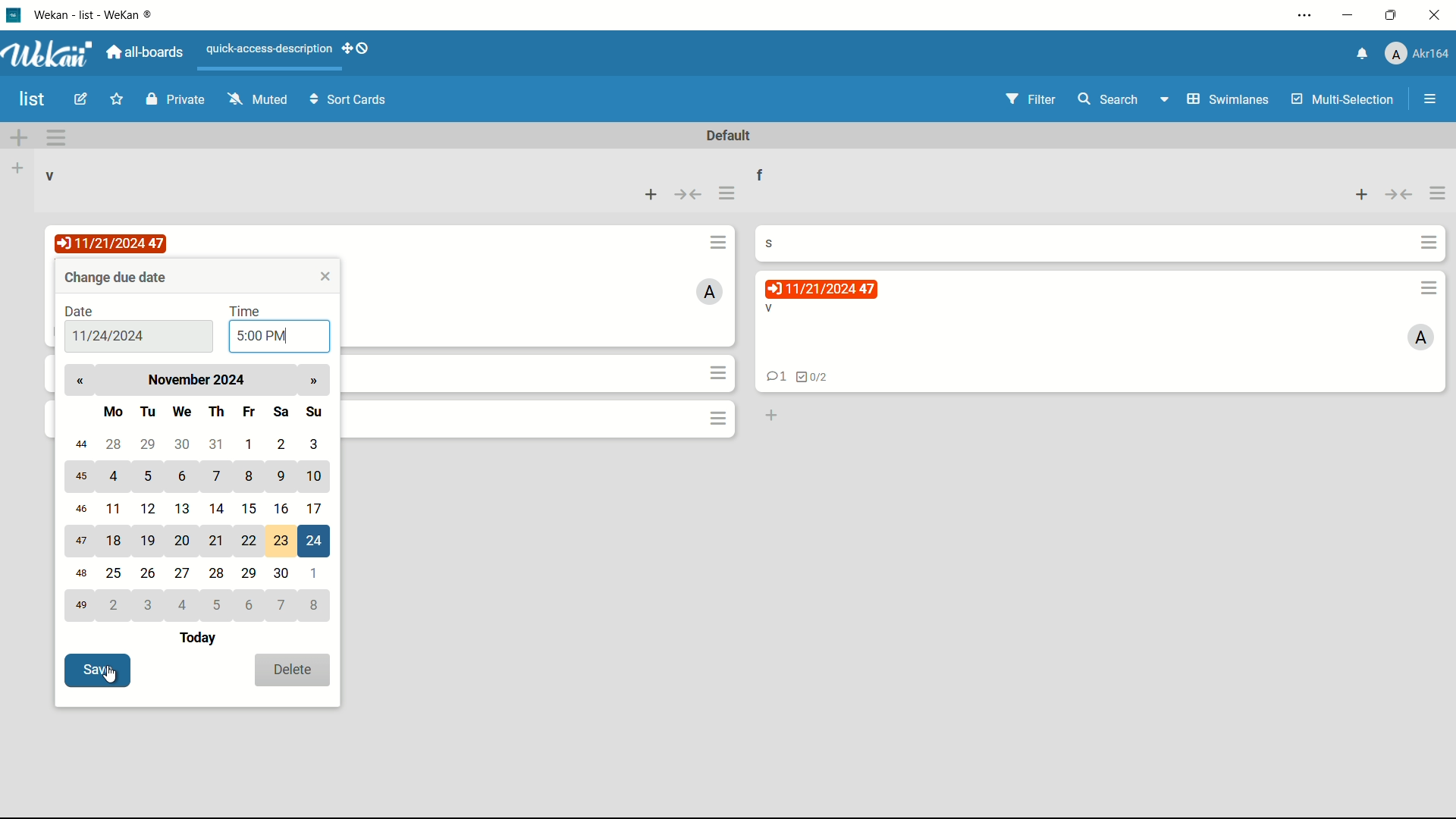 The width and height of the screenshot is (1456, 819). I want to click on checklist, so click(813, 378).